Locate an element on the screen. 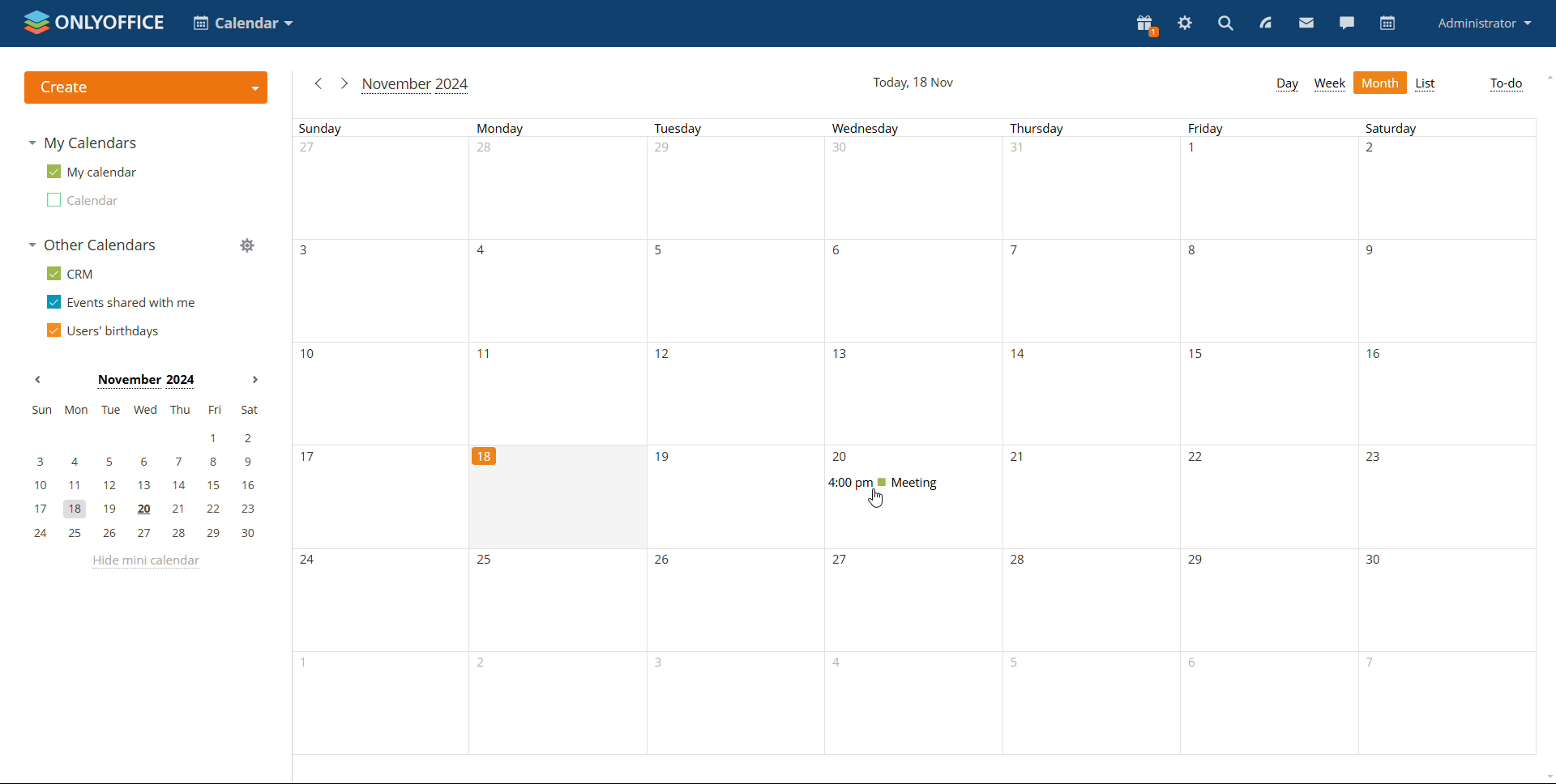 This screenshot has height=784, width=1556. next month is located at coordinates (344, 83).